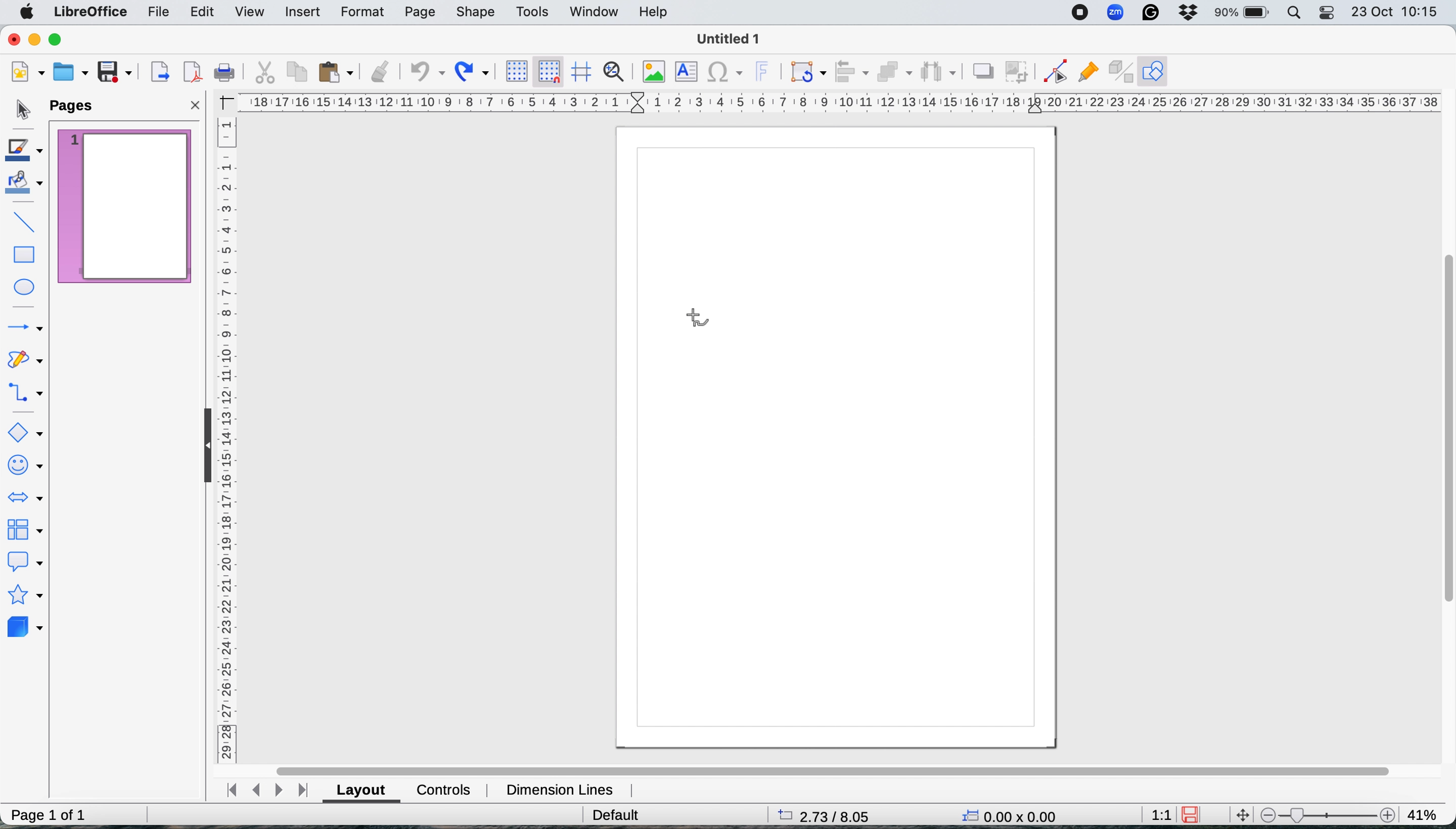 The height and width of the screenshot is (829, 1456). I want to click on close, so click(196, 106).